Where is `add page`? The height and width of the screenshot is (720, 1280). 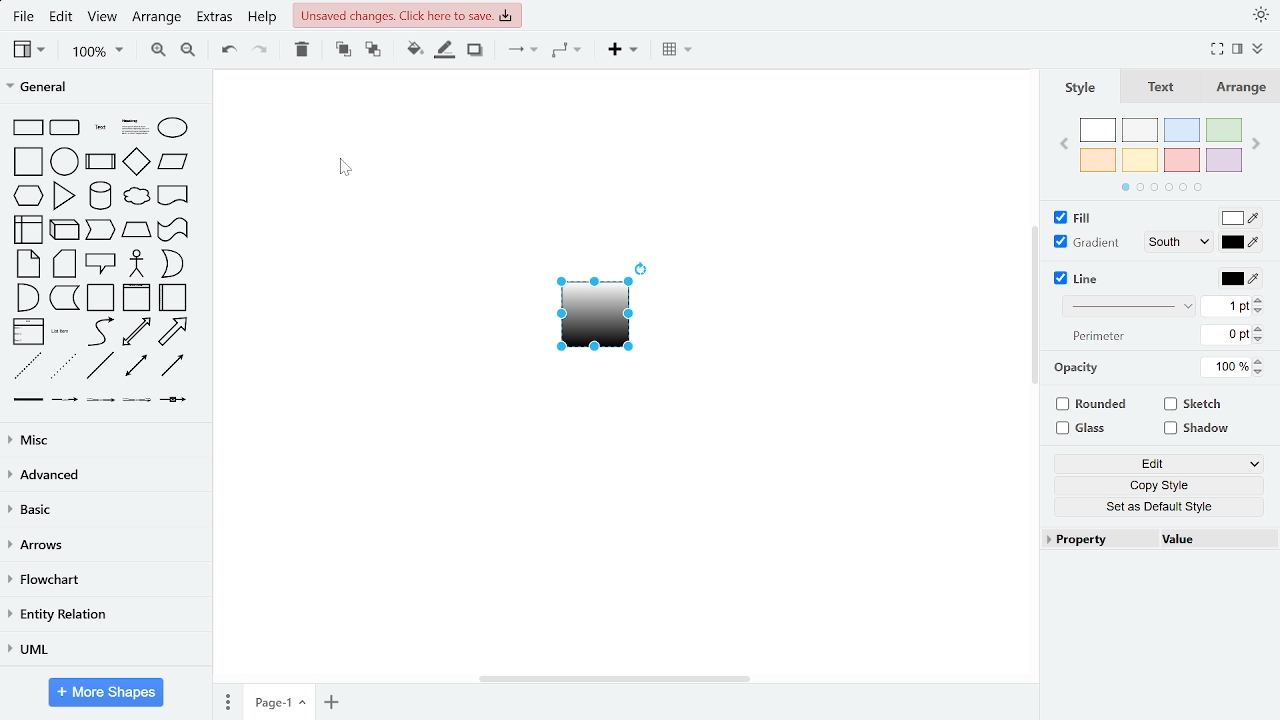
add page is located at coordinates (331, 702).